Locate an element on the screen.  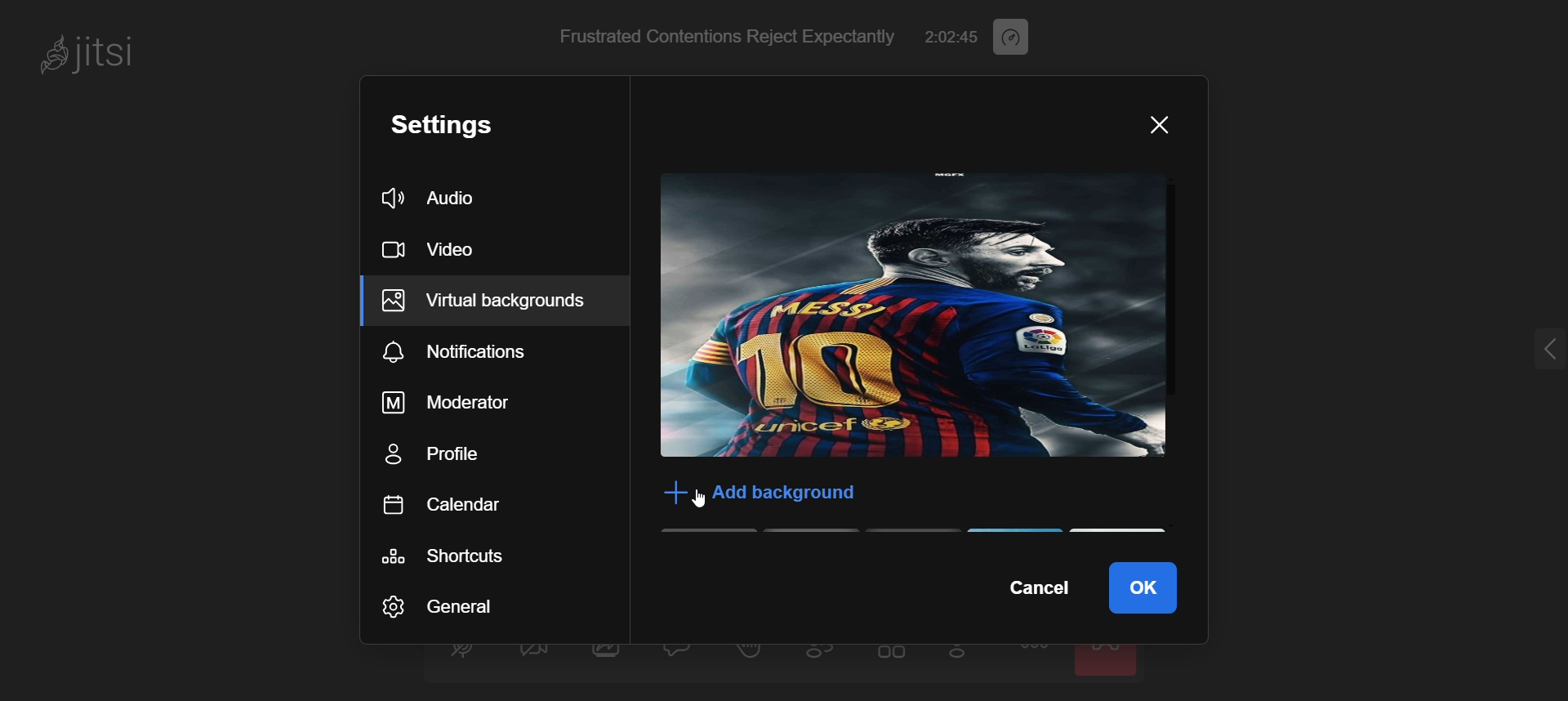
ok is located at coordinates (1143, 587).